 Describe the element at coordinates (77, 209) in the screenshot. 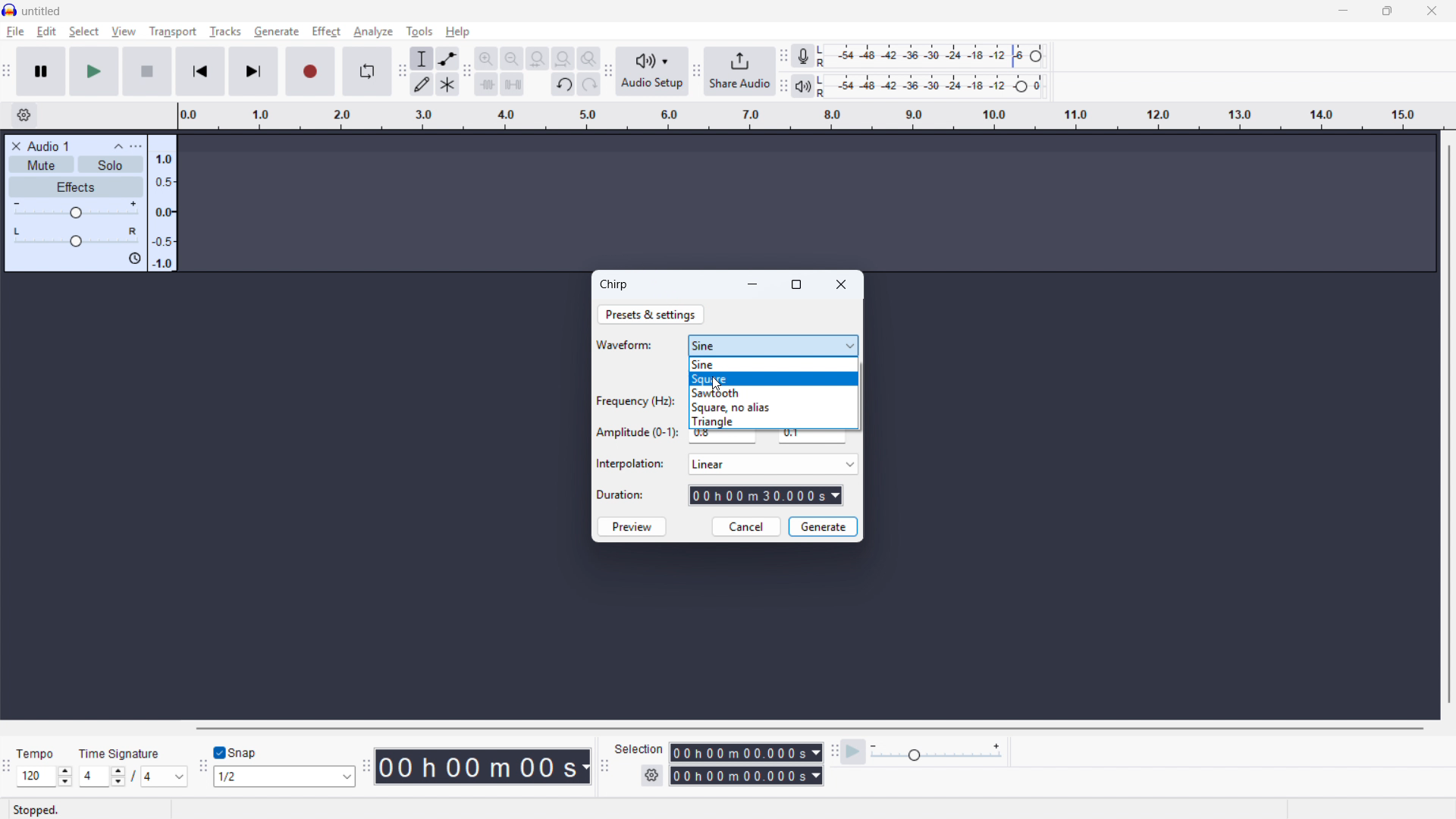

I see `gain ` at that location.